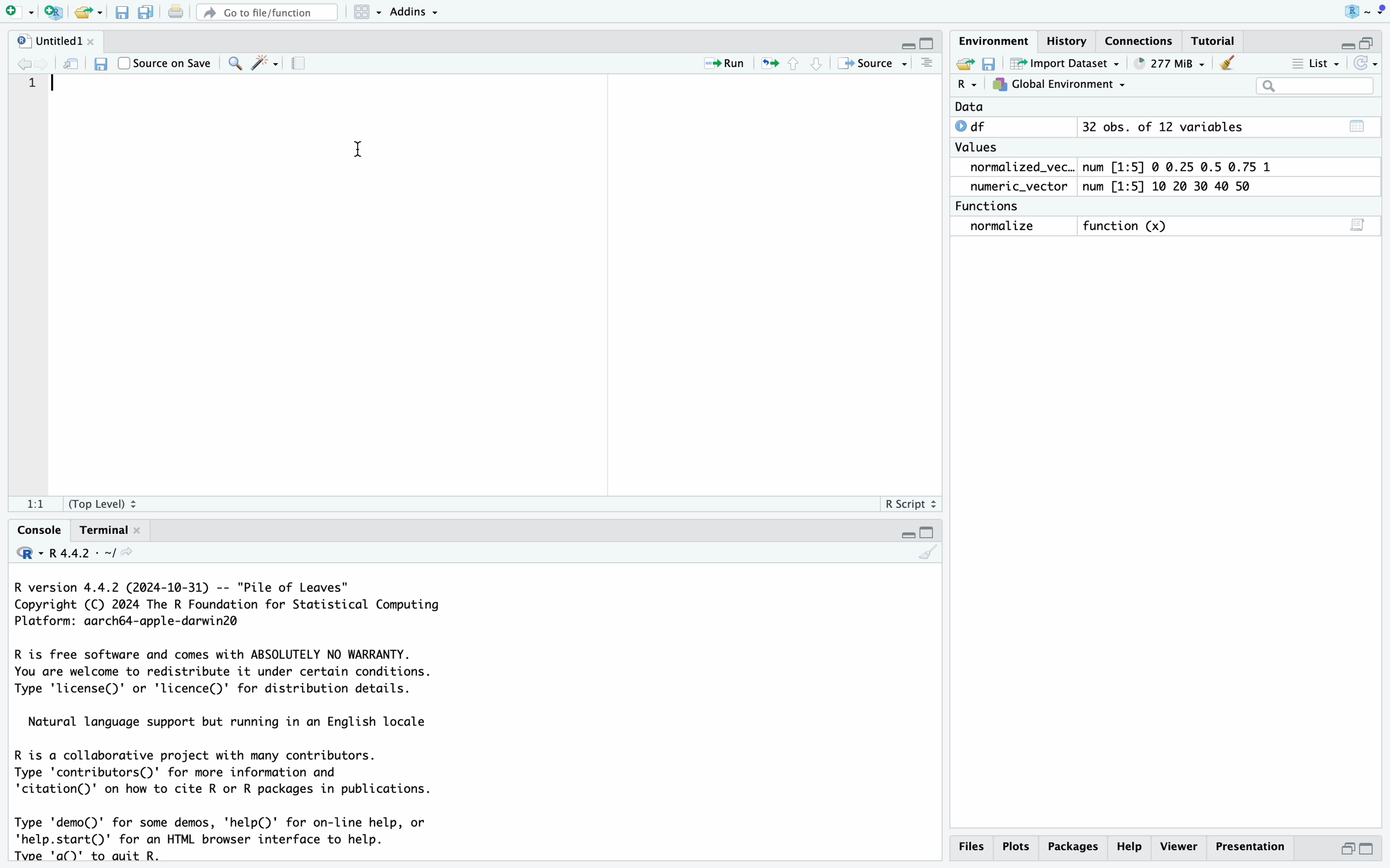 This screenshot has height=868, width=1390. I want to click on MAXIMISE, so click(930, 530).